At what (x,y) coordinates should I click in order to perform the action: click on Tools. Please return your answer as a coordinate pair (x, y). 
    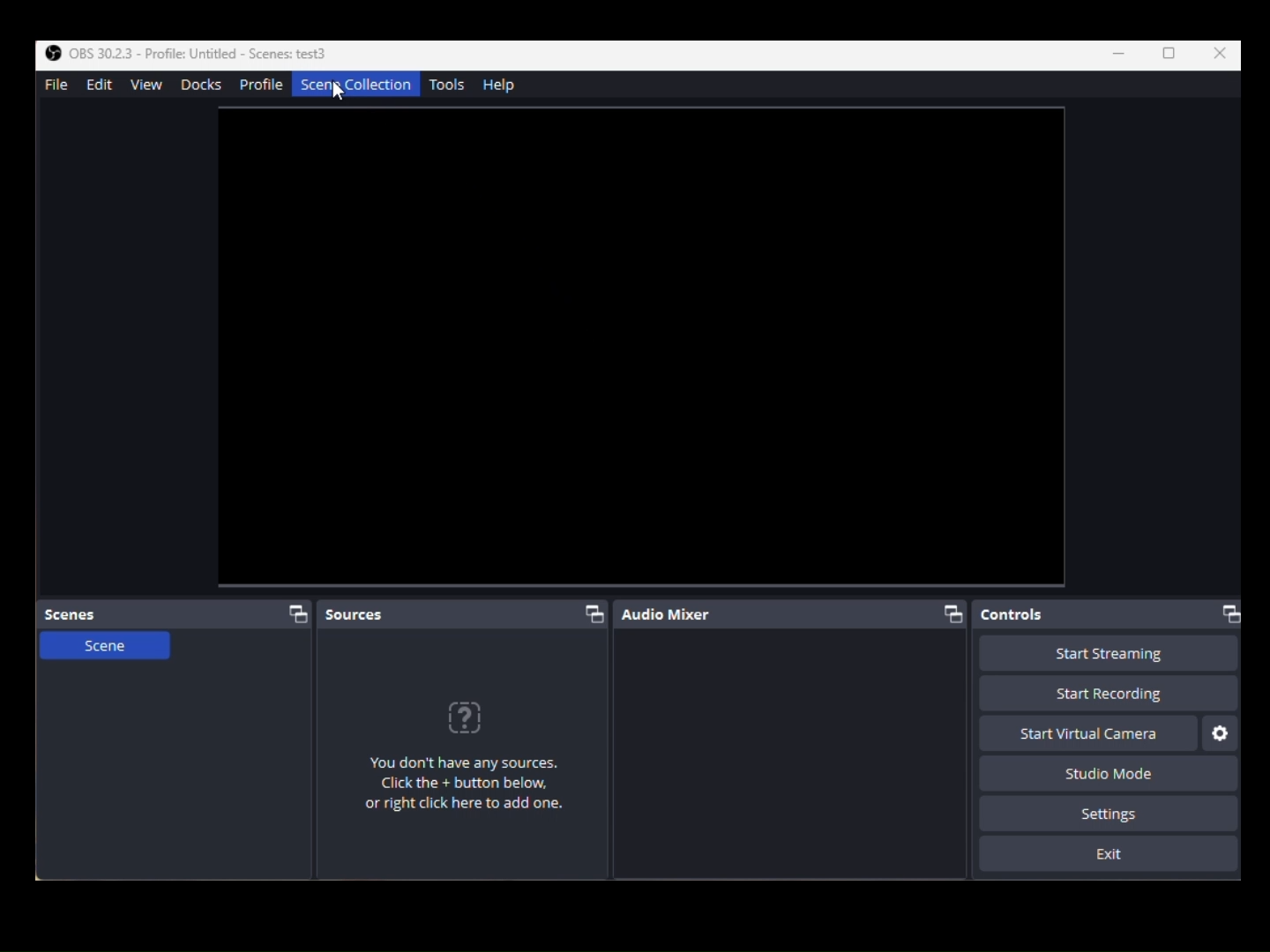
    Looking at the image, I should click on (451, 85).